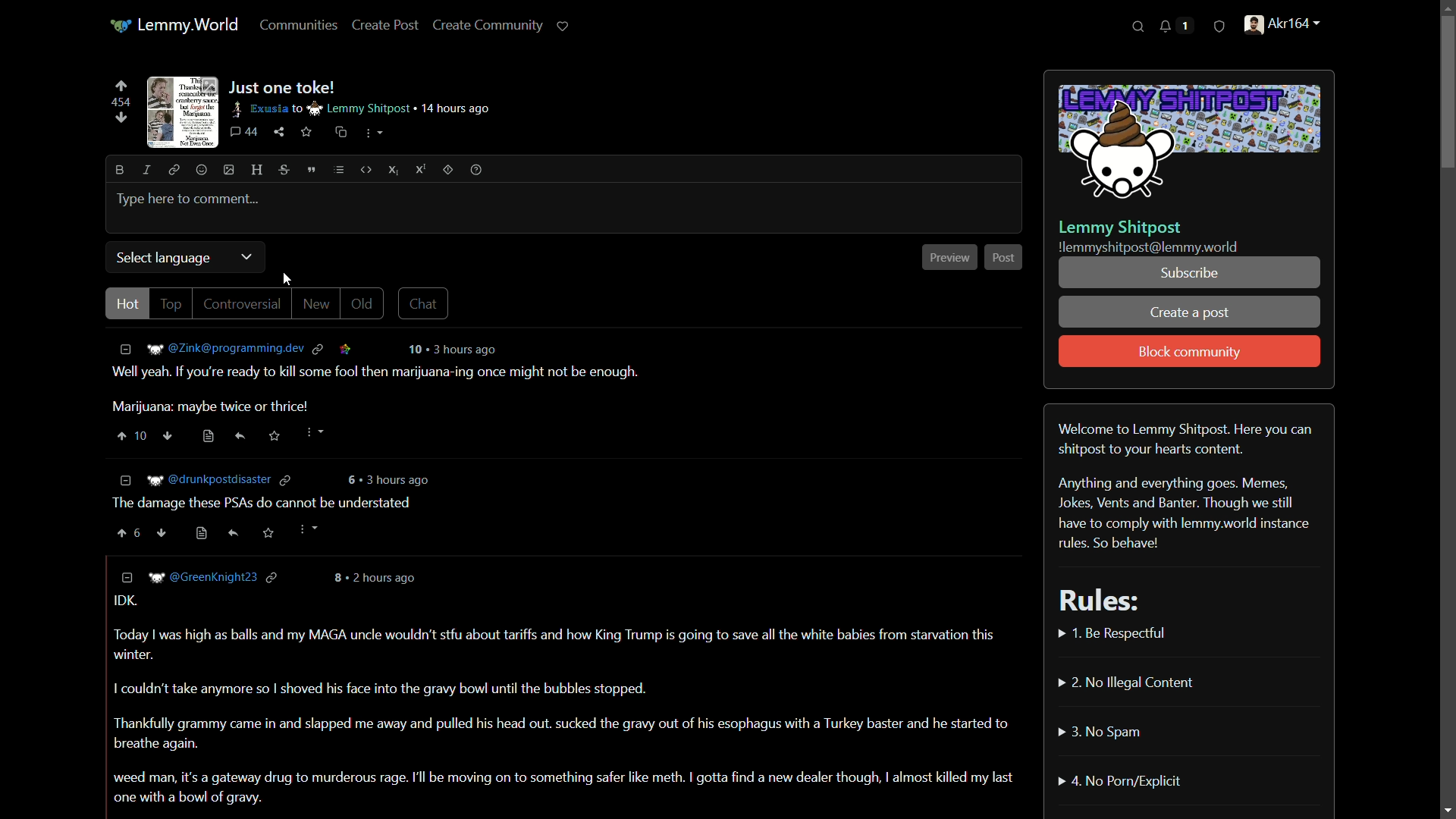  Describe the element at coordinates (563, 27) in the screenshot. I see `support lemmy` at that location.